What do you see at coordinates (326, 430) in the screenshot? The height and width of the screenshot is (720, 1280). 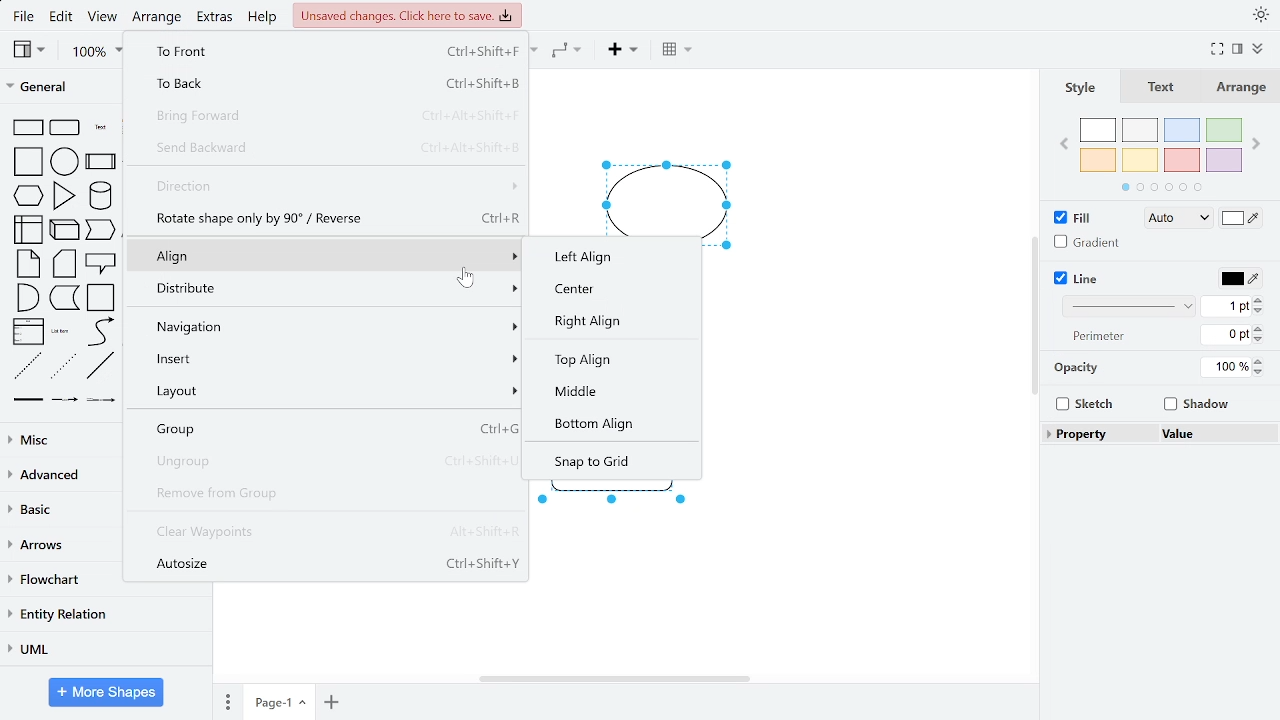 I see `Group` at bounding box center [326, 430].